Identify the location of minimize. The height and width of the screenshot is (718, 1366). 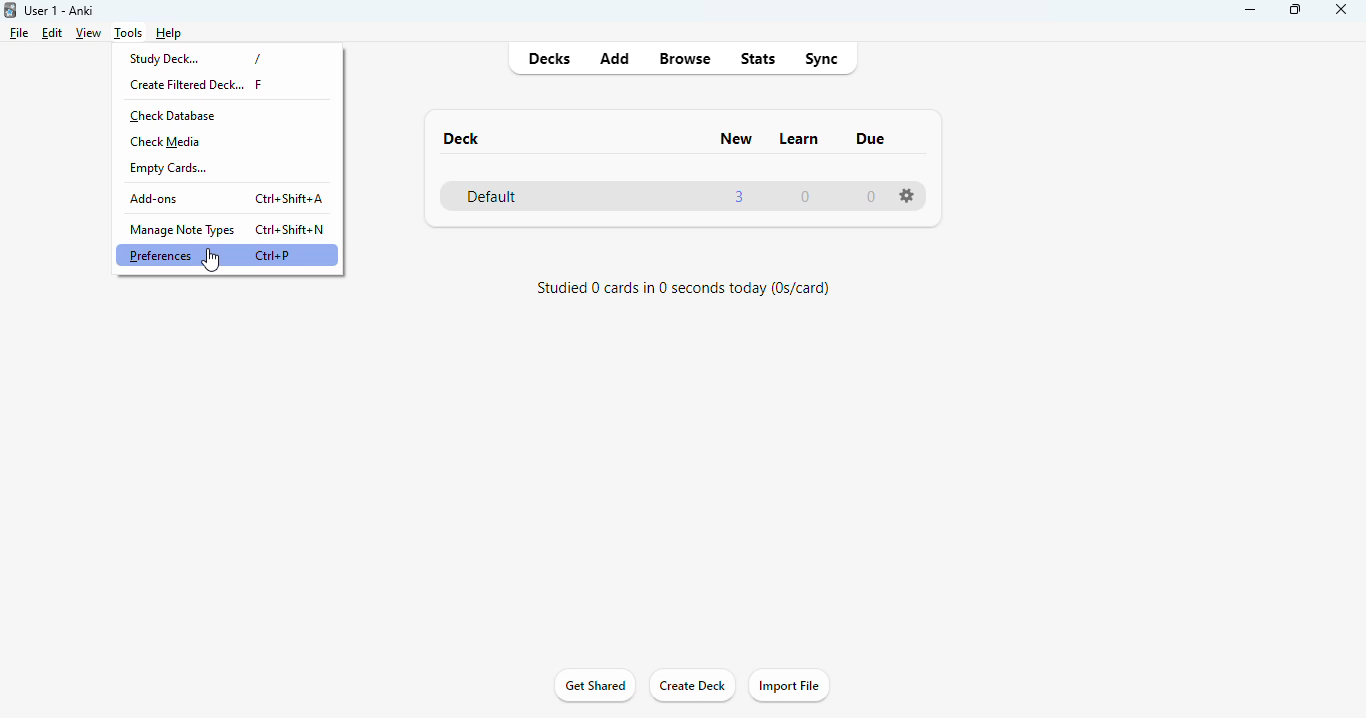
(1252, 10).